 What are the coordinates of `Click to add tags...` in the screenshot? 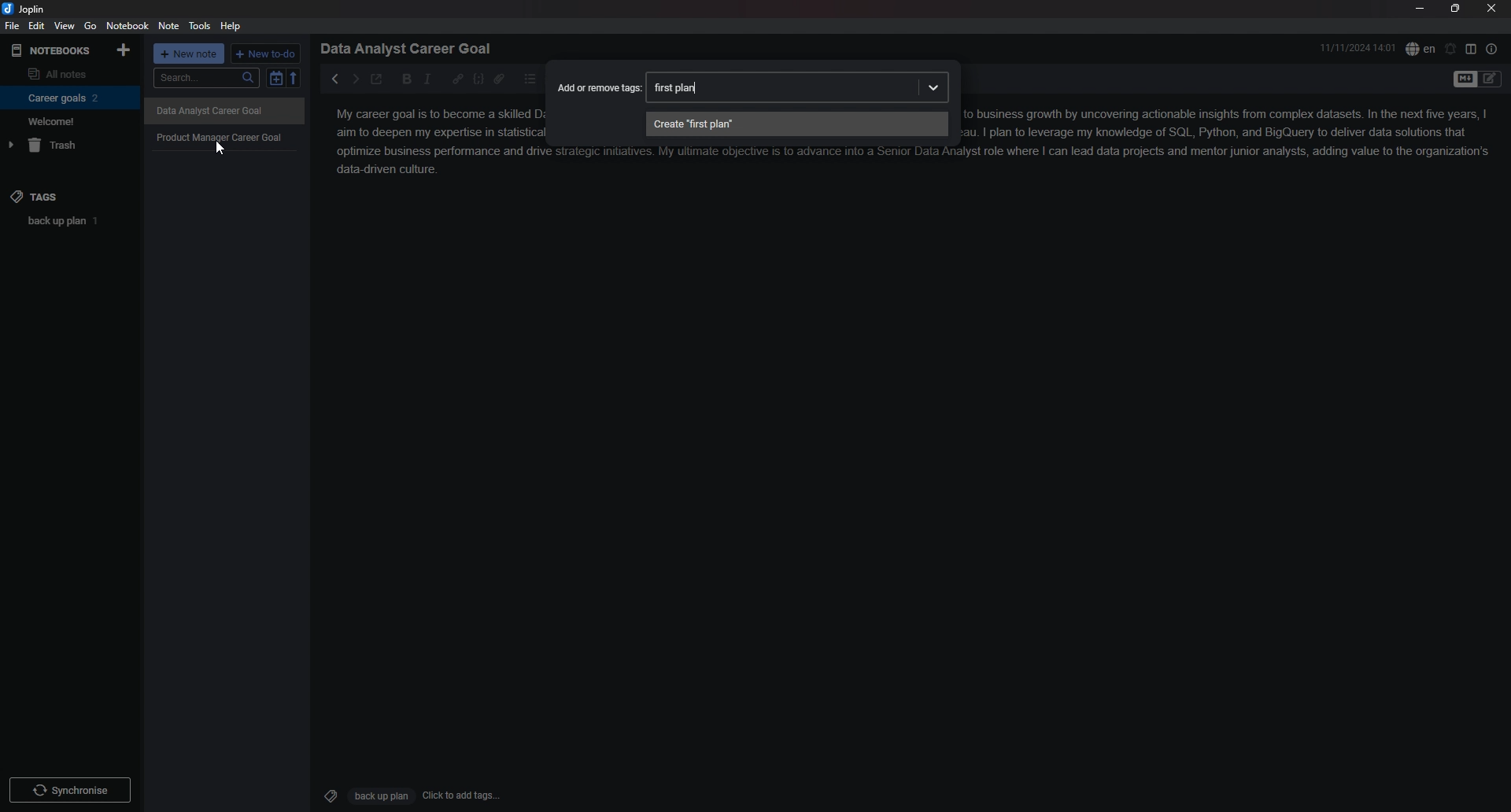 It's located at (463, 795).